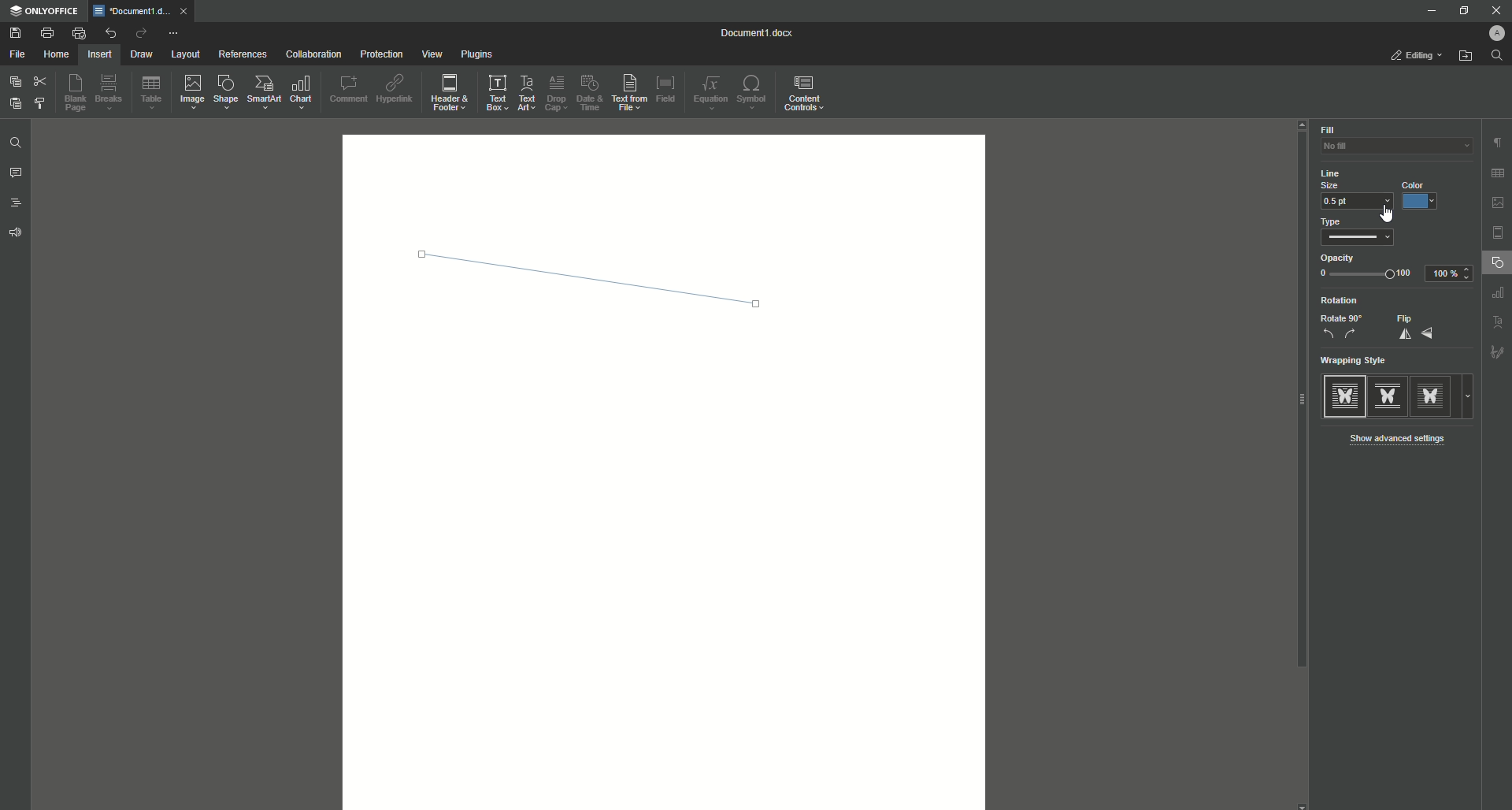 The width and height of the screenshot is (1512, 810). I want to click on , so click(1493, 322).